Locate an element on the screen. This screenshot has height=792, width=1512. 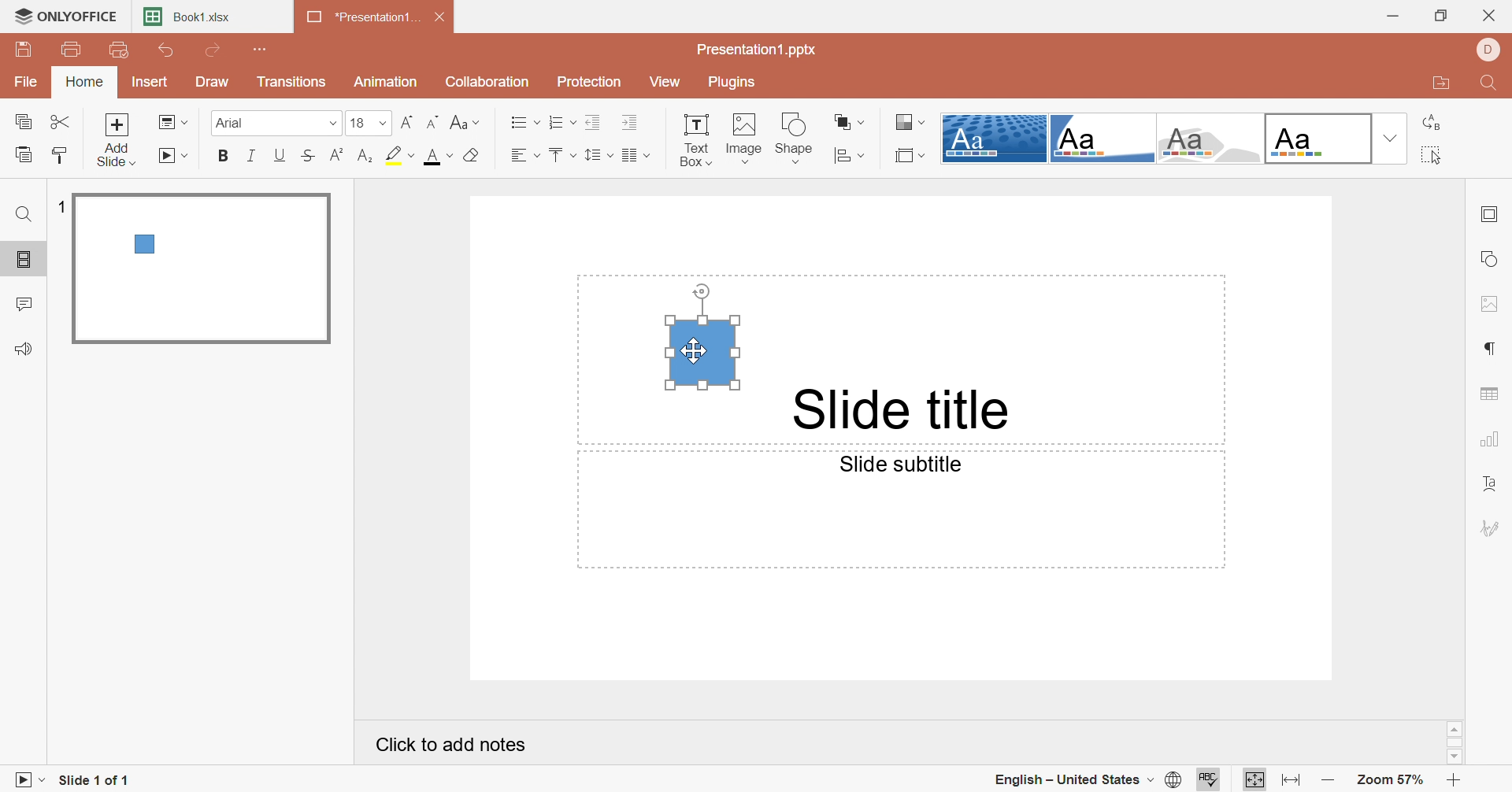
Dotted is located at coordinates (991, 137).